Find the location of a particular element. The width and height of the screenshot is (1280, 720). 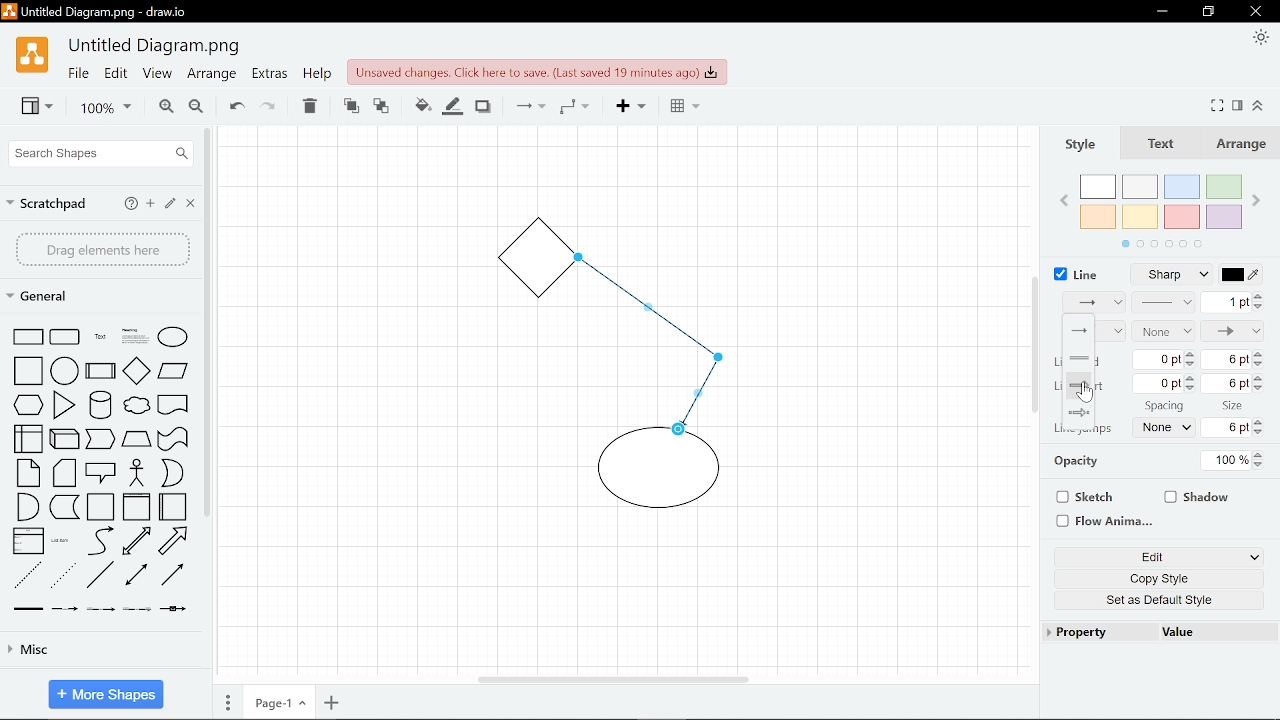

DEcrease is located at coordinates (1194, 391).